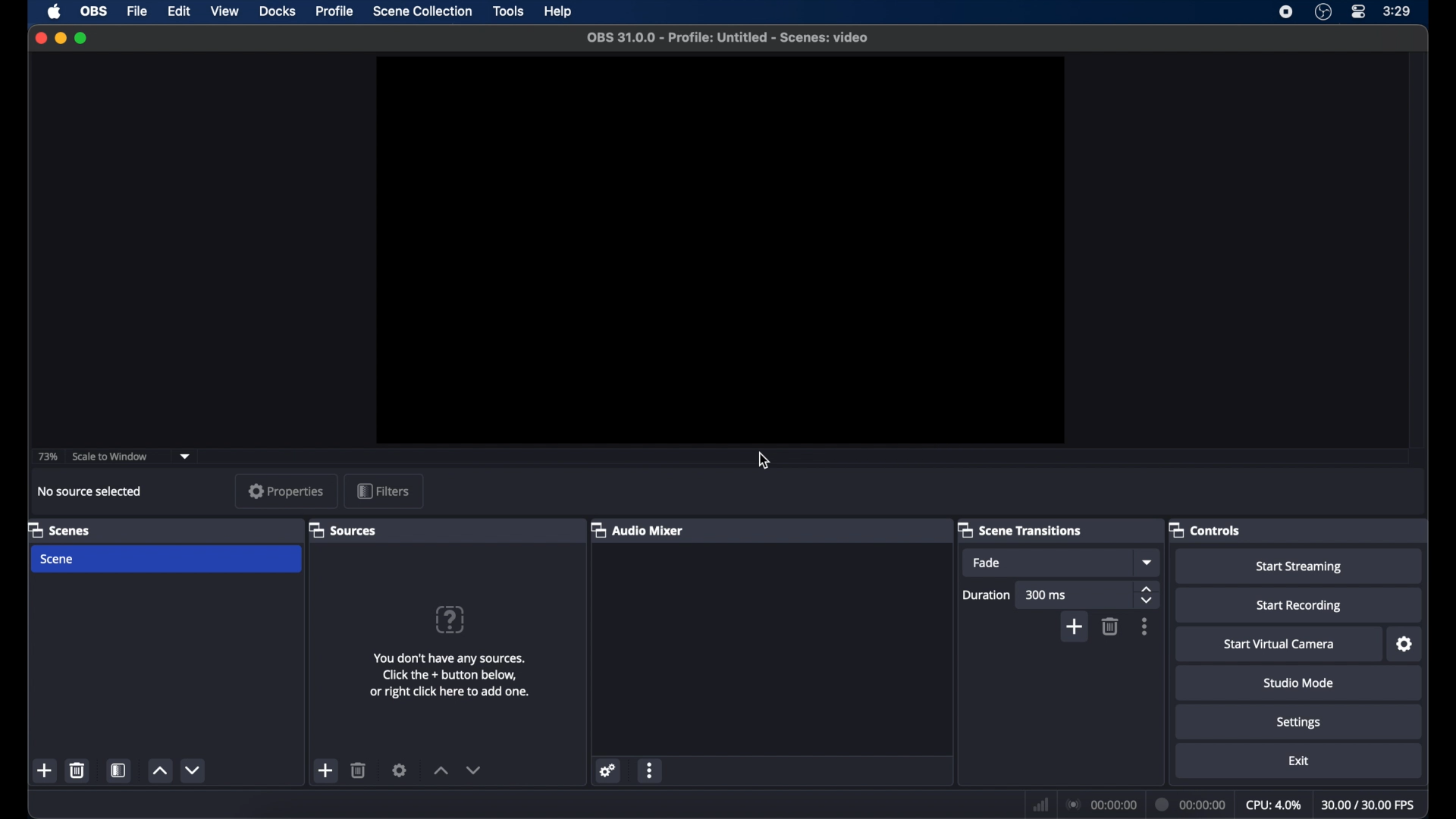  Describe the element at coordinates (400, 770) in the screenshot. I see `settings` at that location.